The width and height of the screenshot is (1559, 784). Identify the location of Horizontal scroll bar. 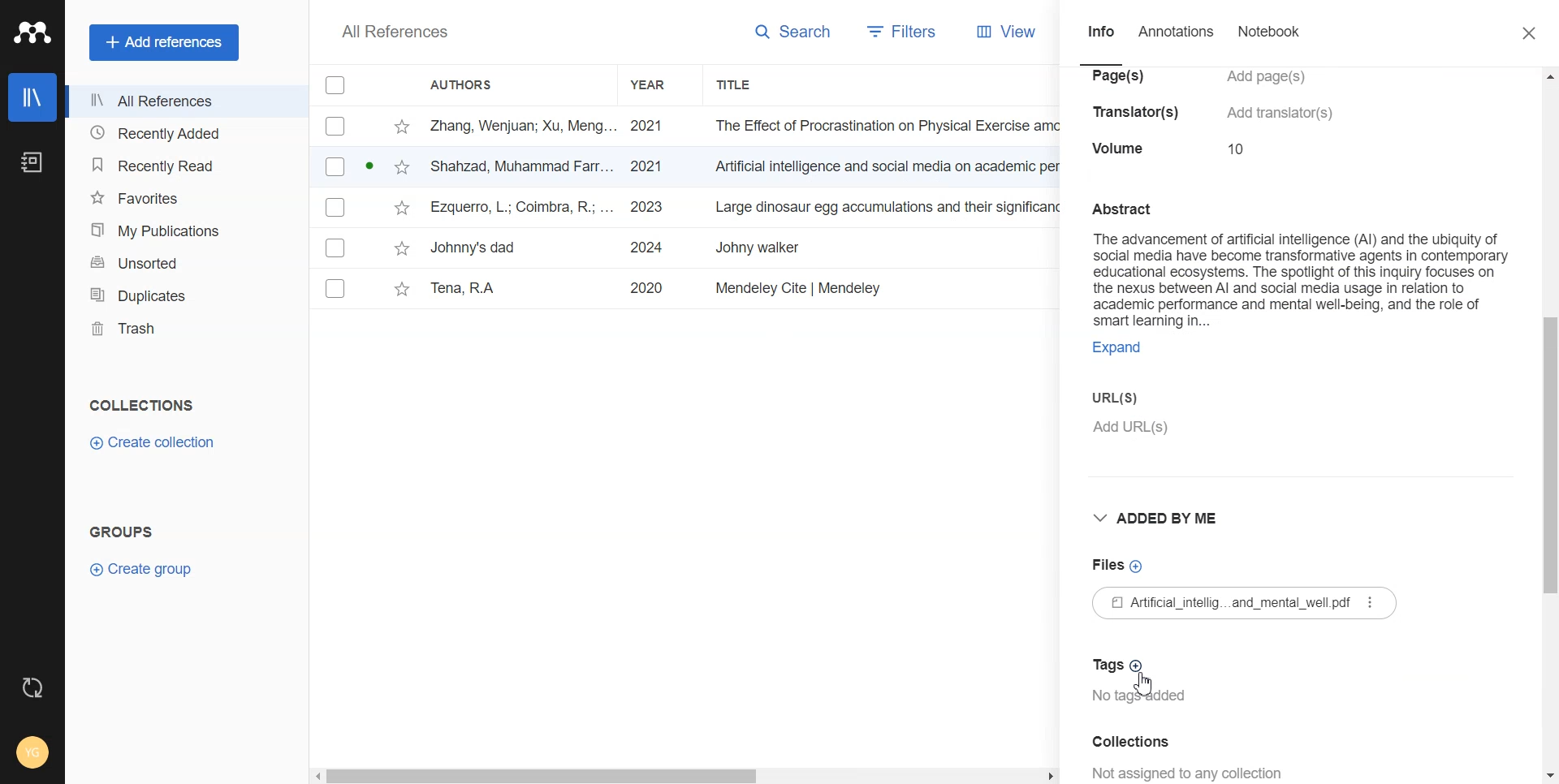
(685, 773).